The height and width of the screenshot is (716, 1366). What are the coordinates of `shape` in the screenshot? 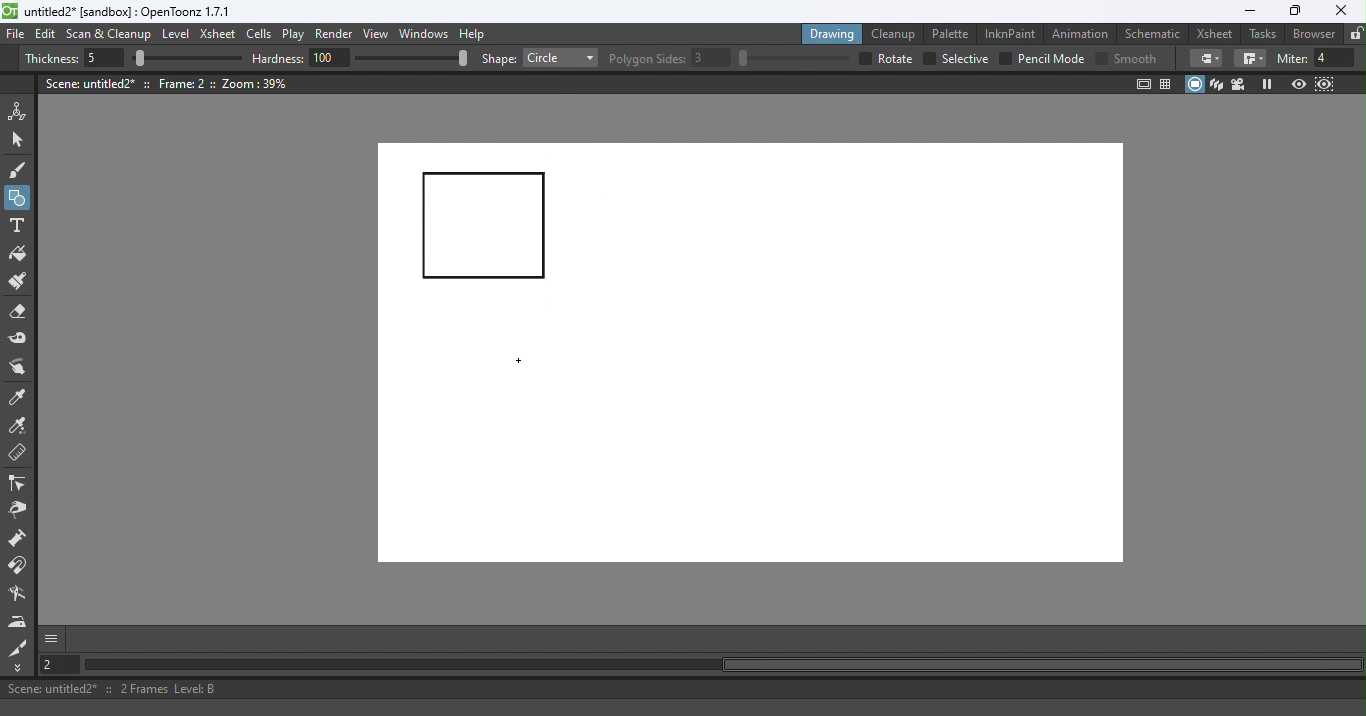 It's located at (499, 60).